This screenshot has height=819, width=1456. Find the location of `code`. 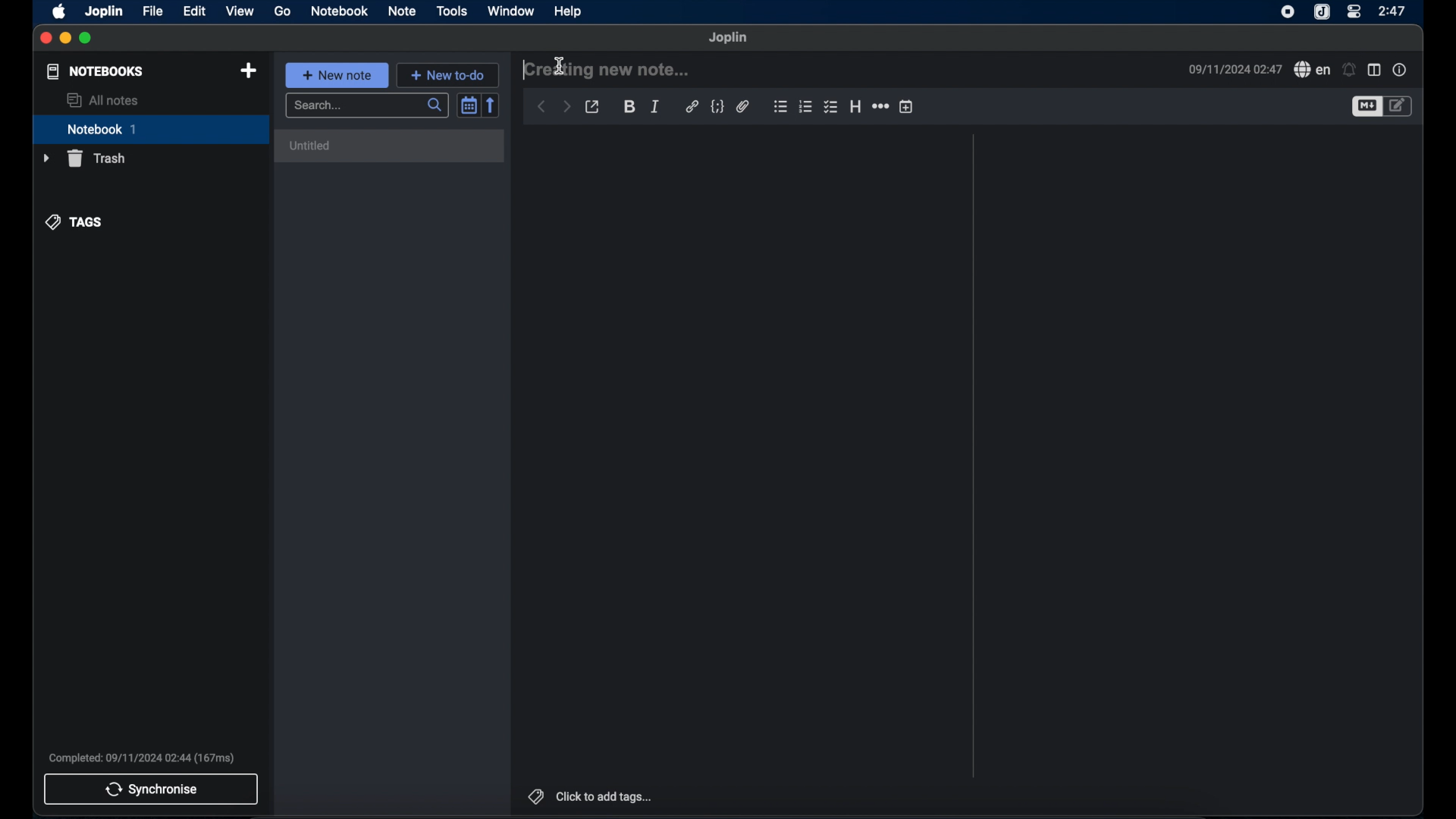

code is located at coordinates (717, 107).